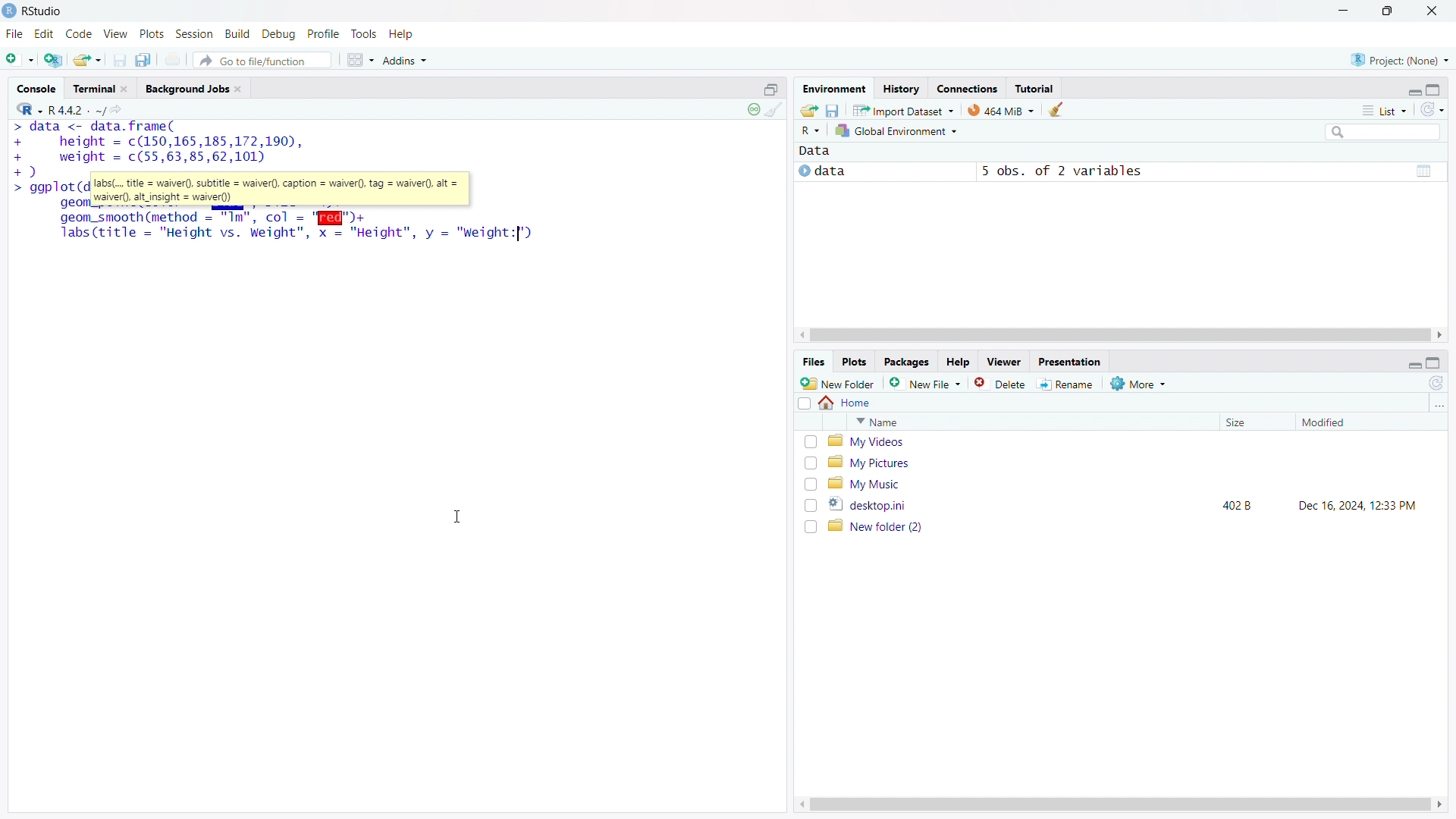  What do you see at coordinates (359, 60) in the screenshot?
I see `workspace panes` at bounding box center [359, 60].